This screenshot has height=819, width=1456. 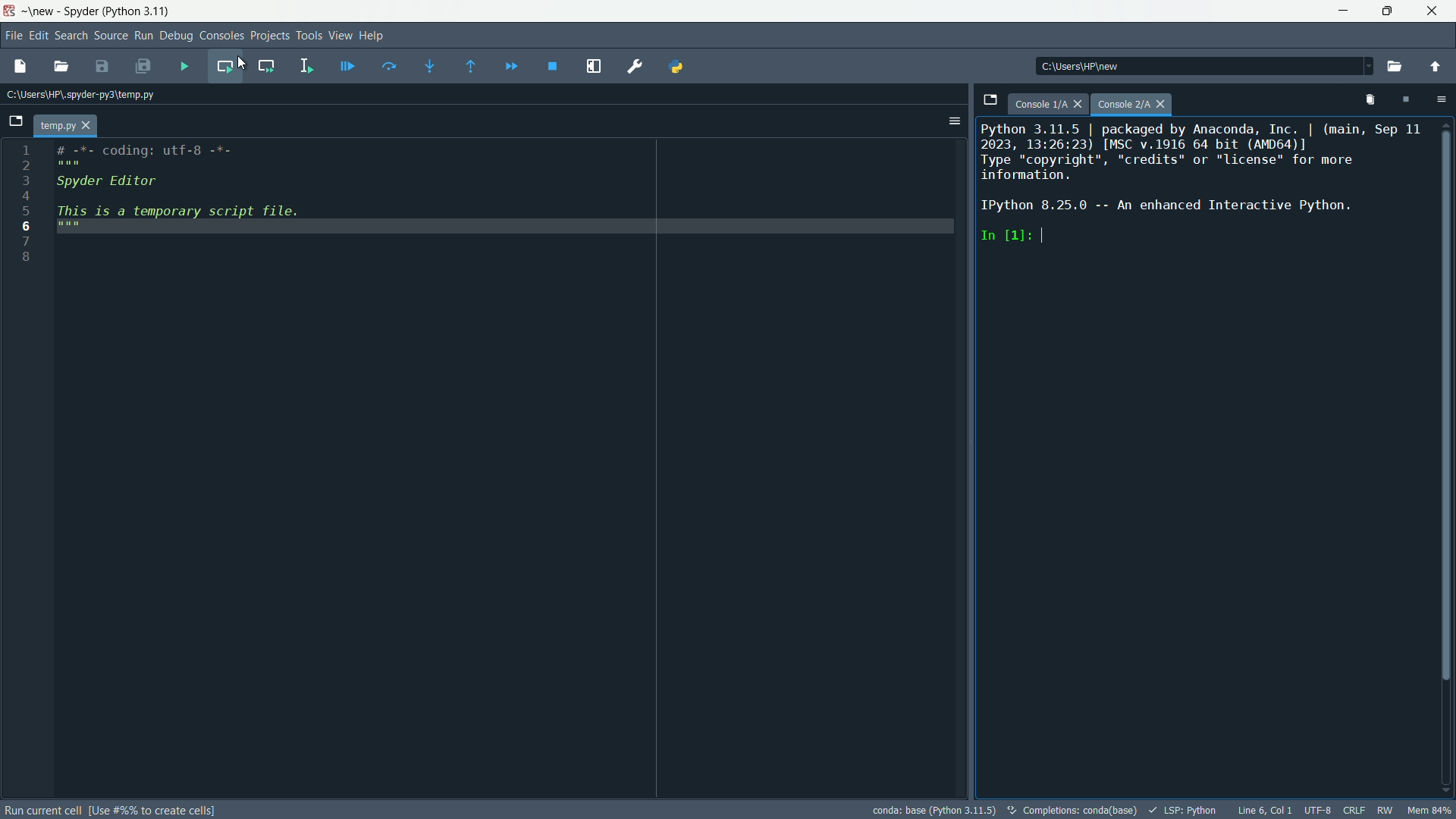 I want to click on edit menu, so click(x=39, y=35).